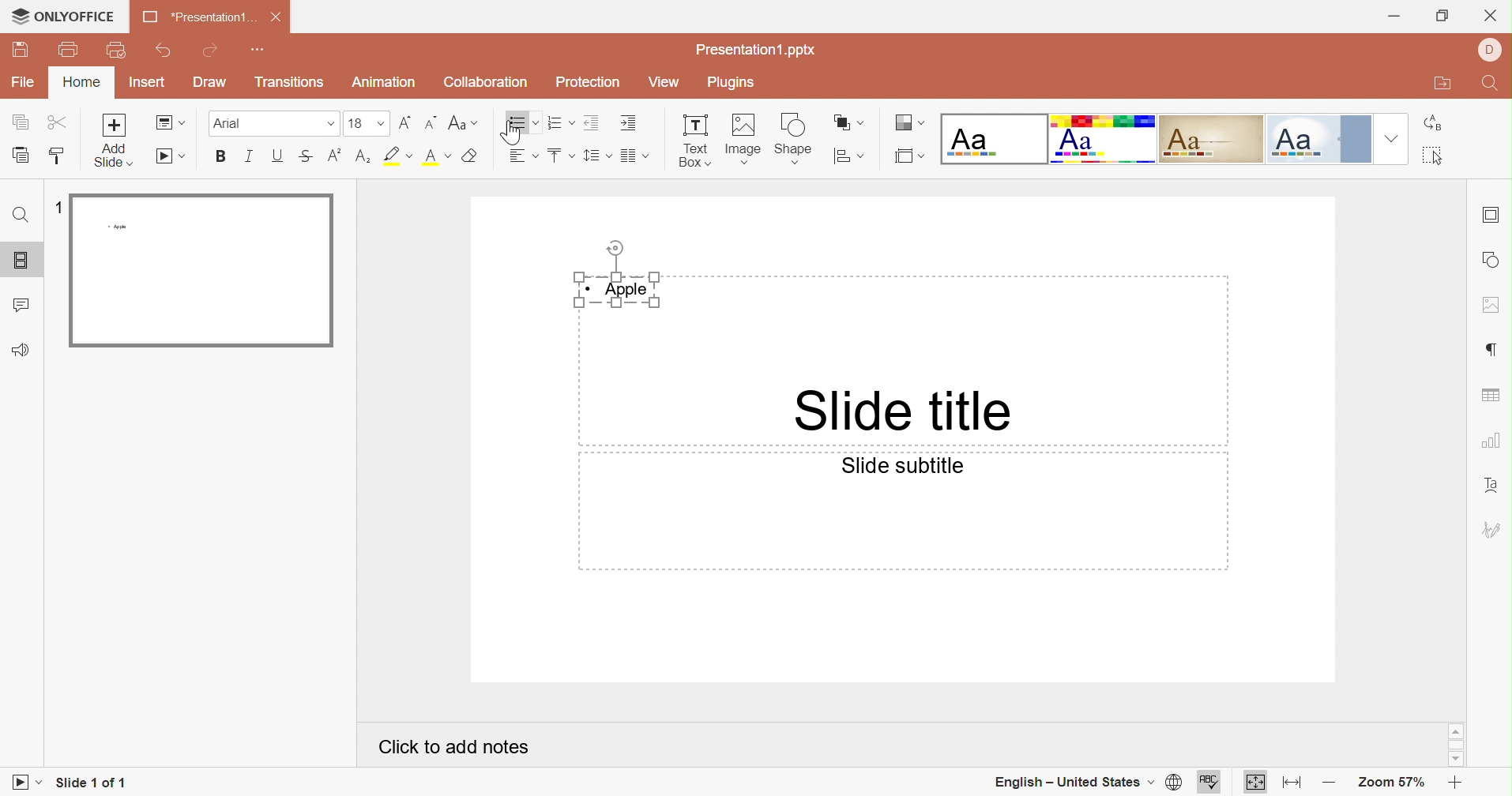  What do you see at coordinates (59, 123) in the screenshot?
I see `Cut` at bounding box center [59, 123].